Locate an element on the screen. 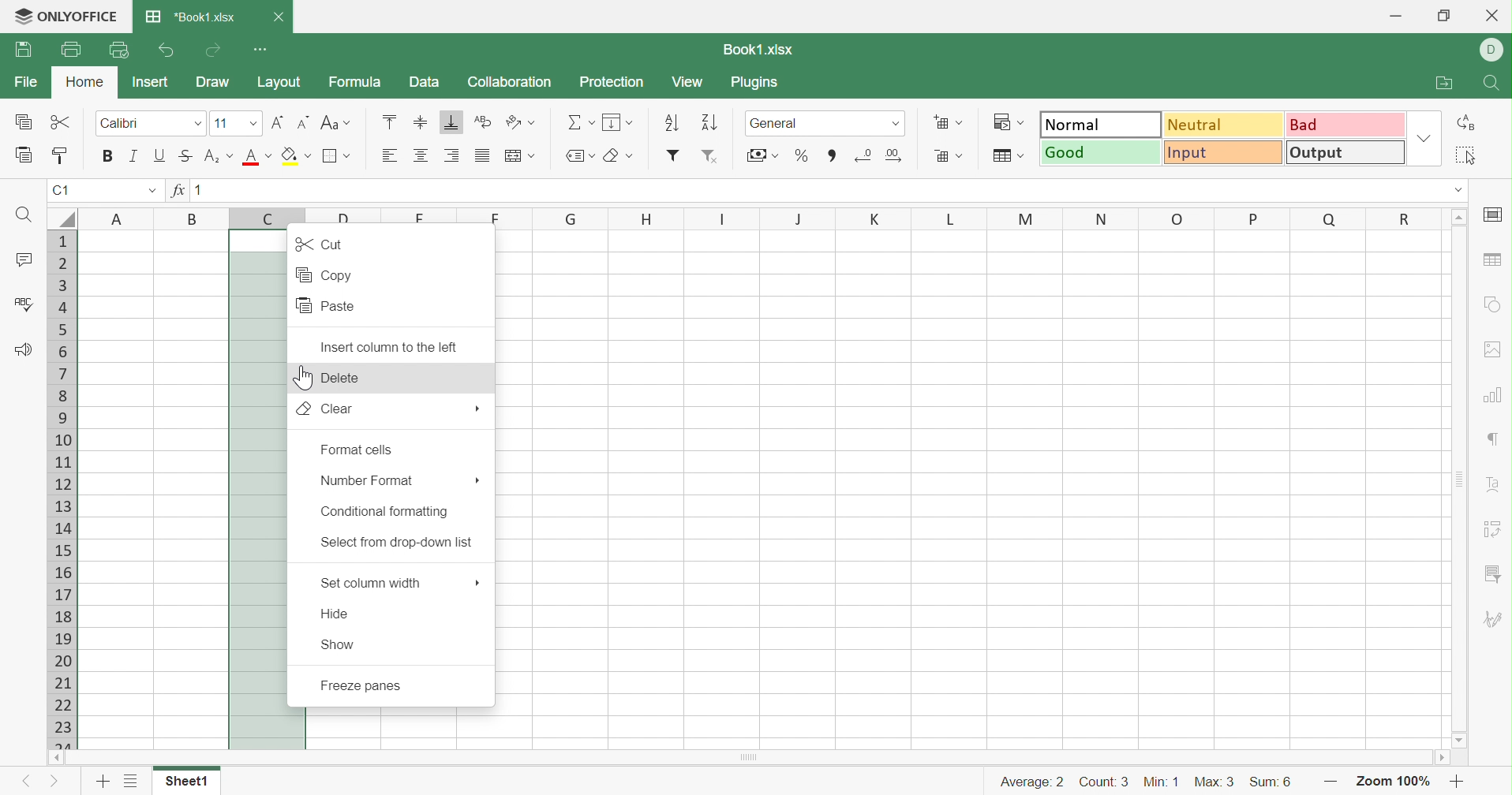  Print is located at coordinates (74, 49).